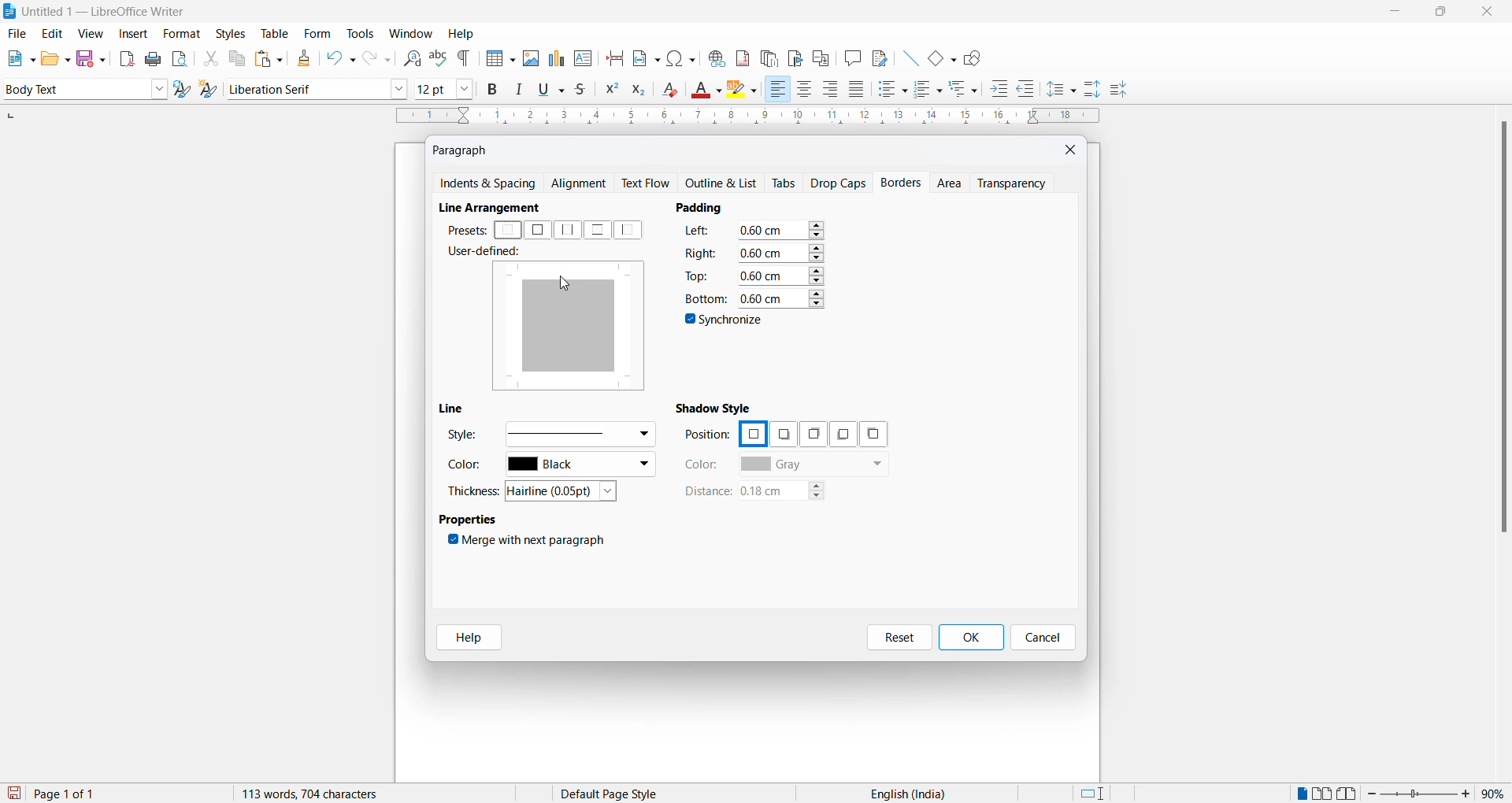 This screenshot has height=803, width=1512. Describe the element at coordinates (1031, 90) in the screenshot. I see `decrease indent` at that location.